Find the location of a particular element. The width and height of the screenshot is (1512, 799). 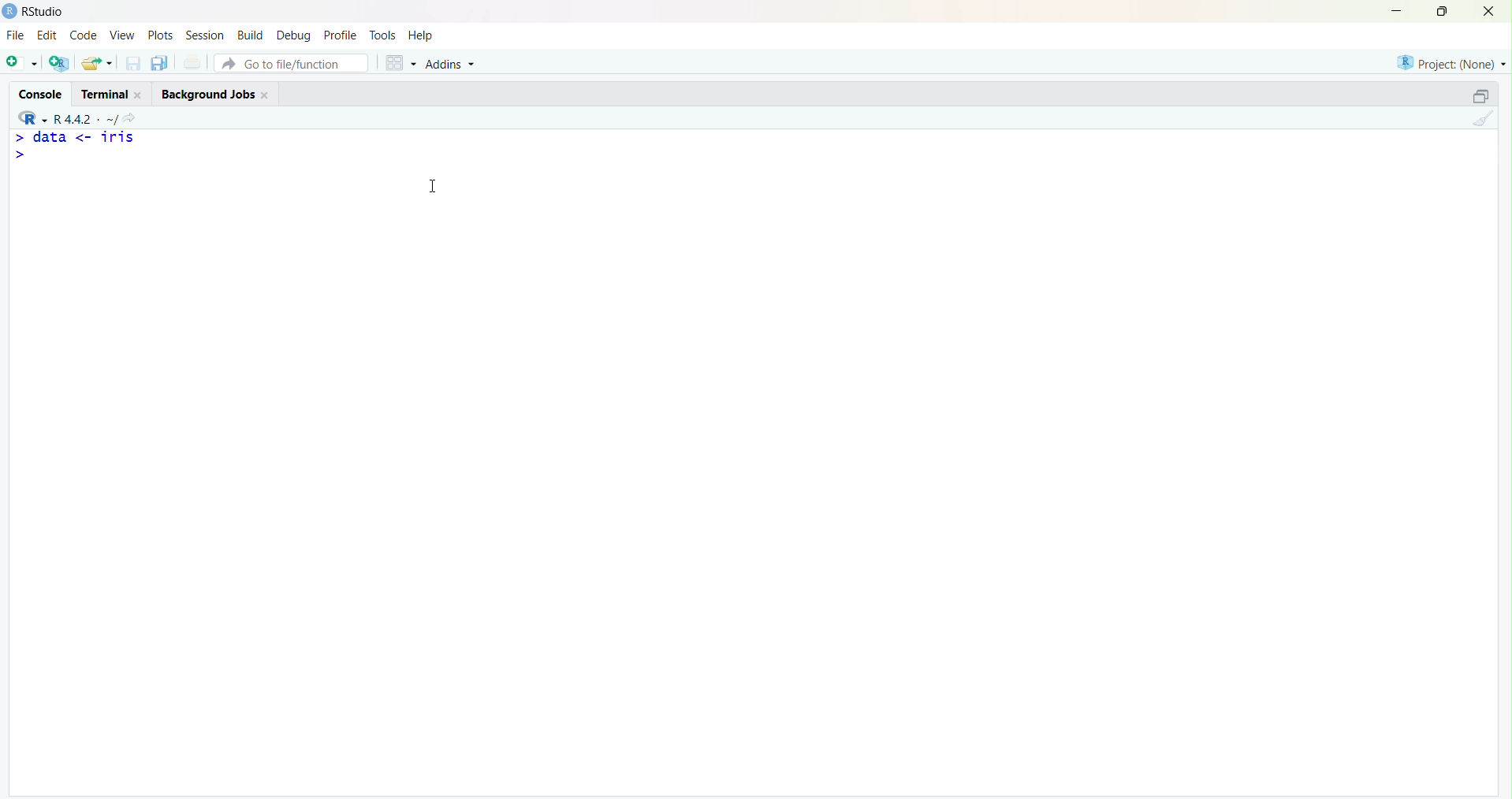

Addins is located at coordinates (452, 62).